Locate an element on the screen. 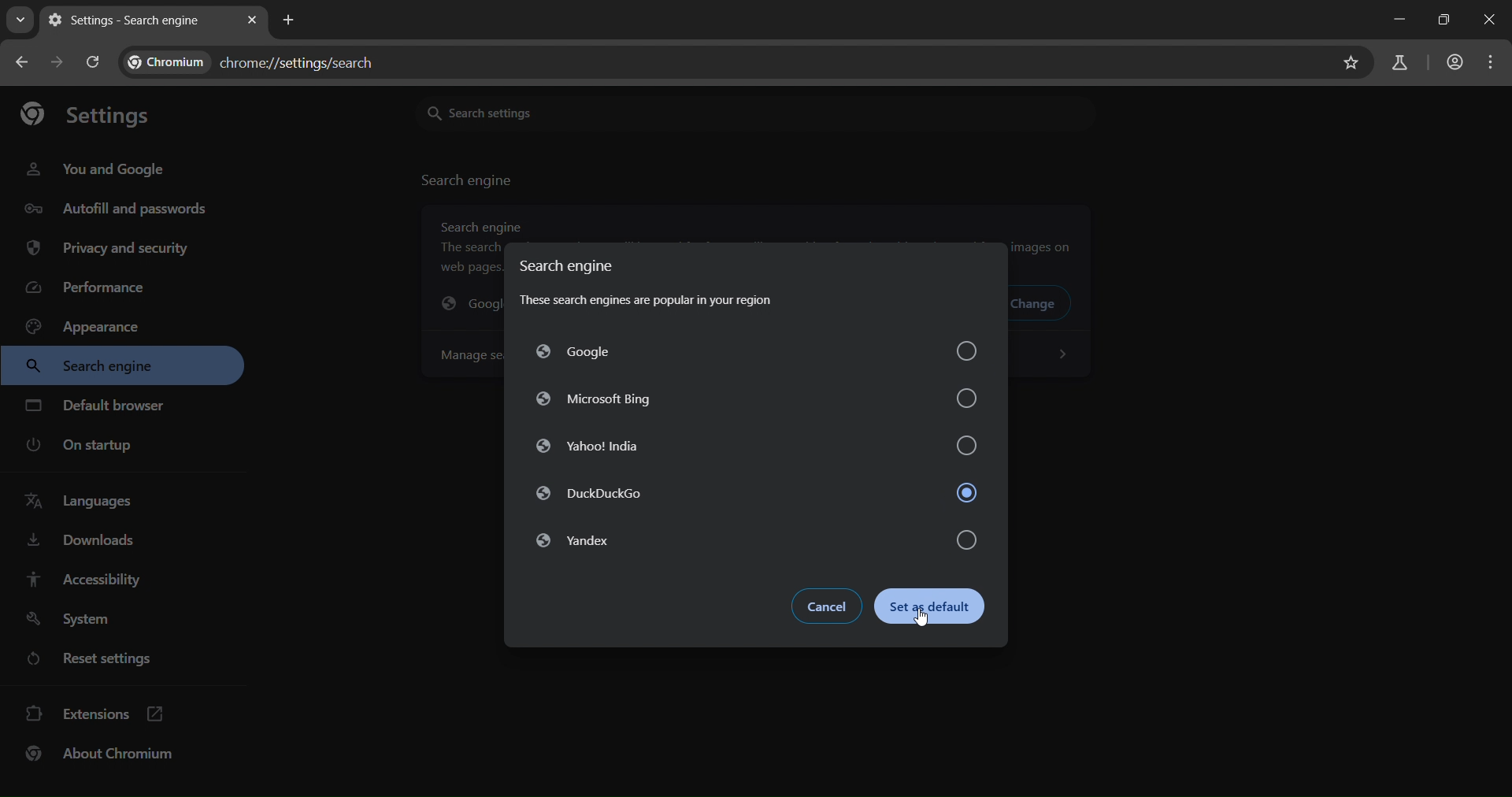 The image size is (1512, 797). search engine is located at coordinates (469, 180).